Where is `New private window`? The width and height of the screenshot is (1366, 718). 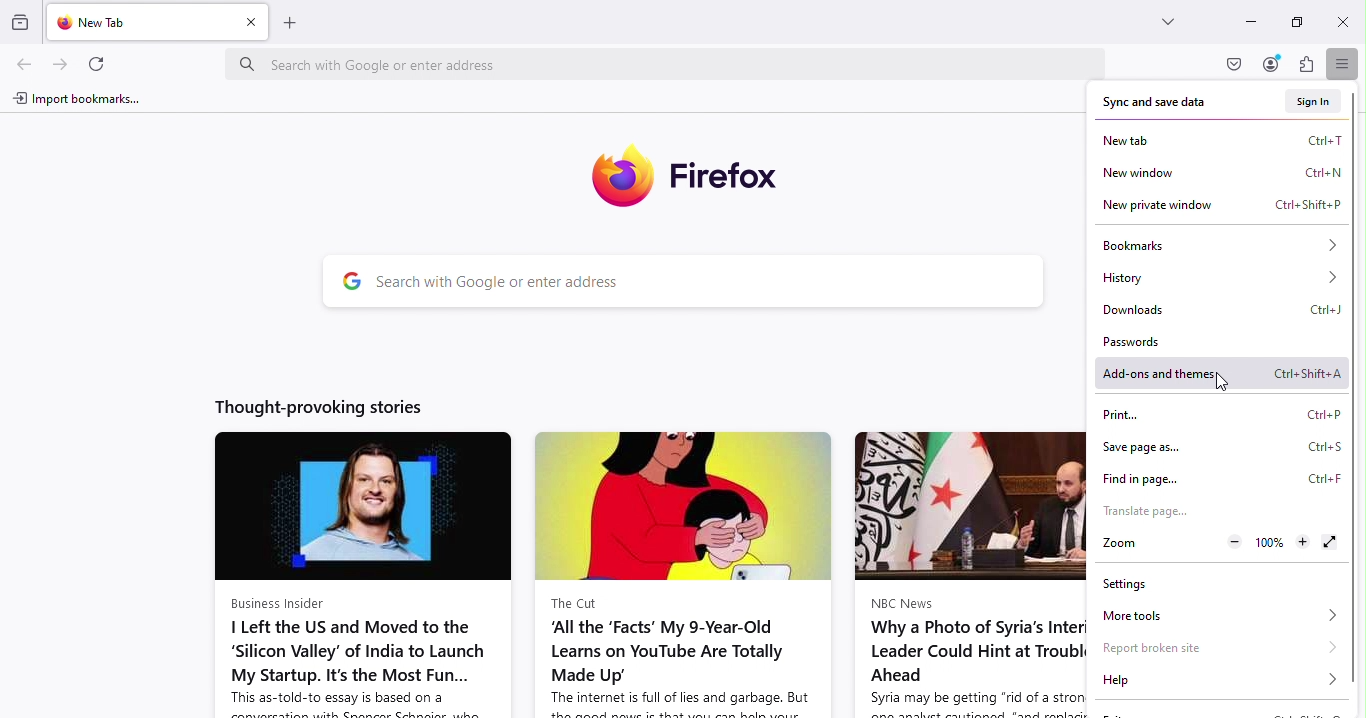 New private window is located at coordinates (1217, 208).